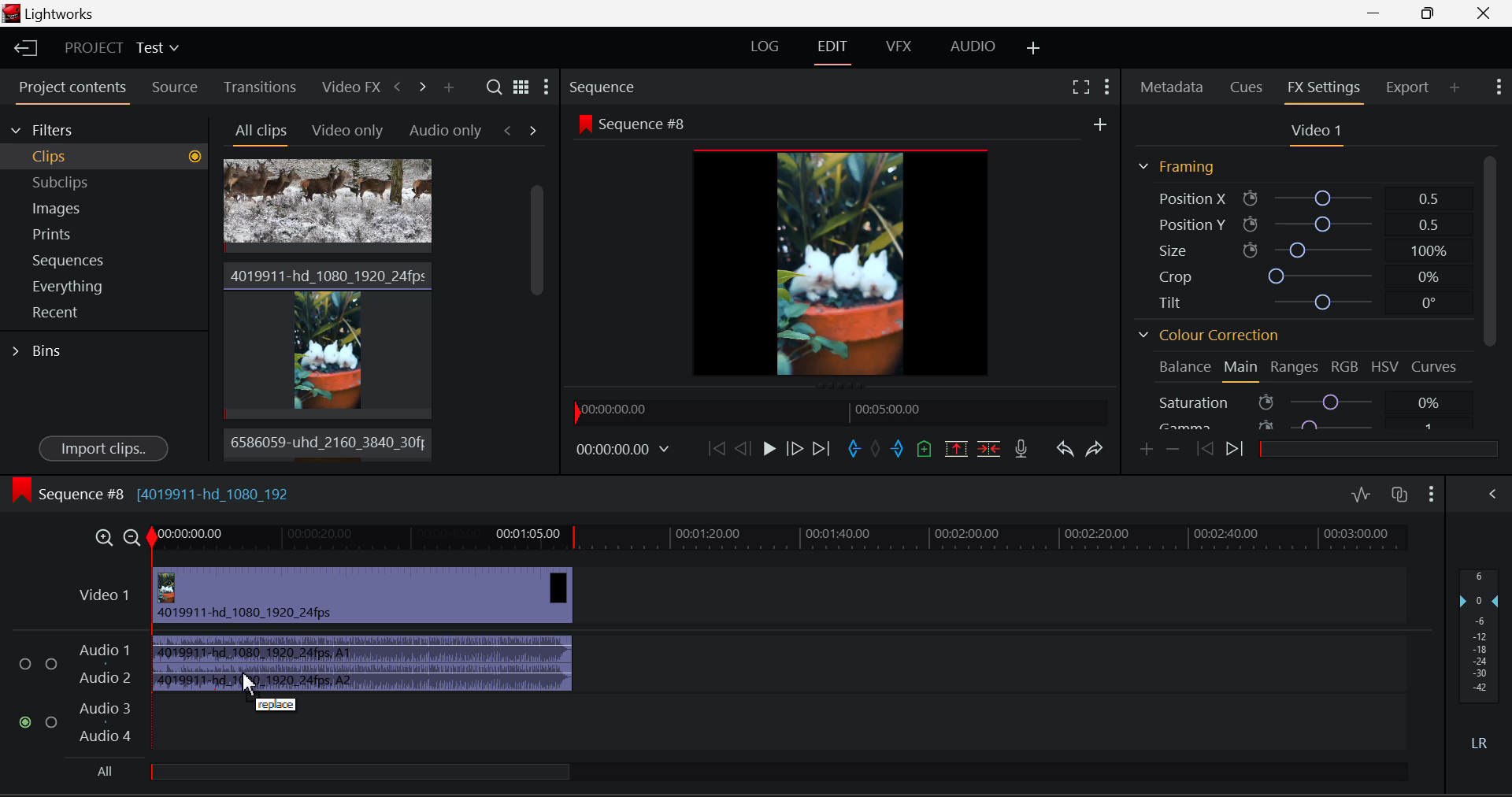 The height and width of the screenshot is (797, 1512). I want to click on Position Y, so click(1310, 225).